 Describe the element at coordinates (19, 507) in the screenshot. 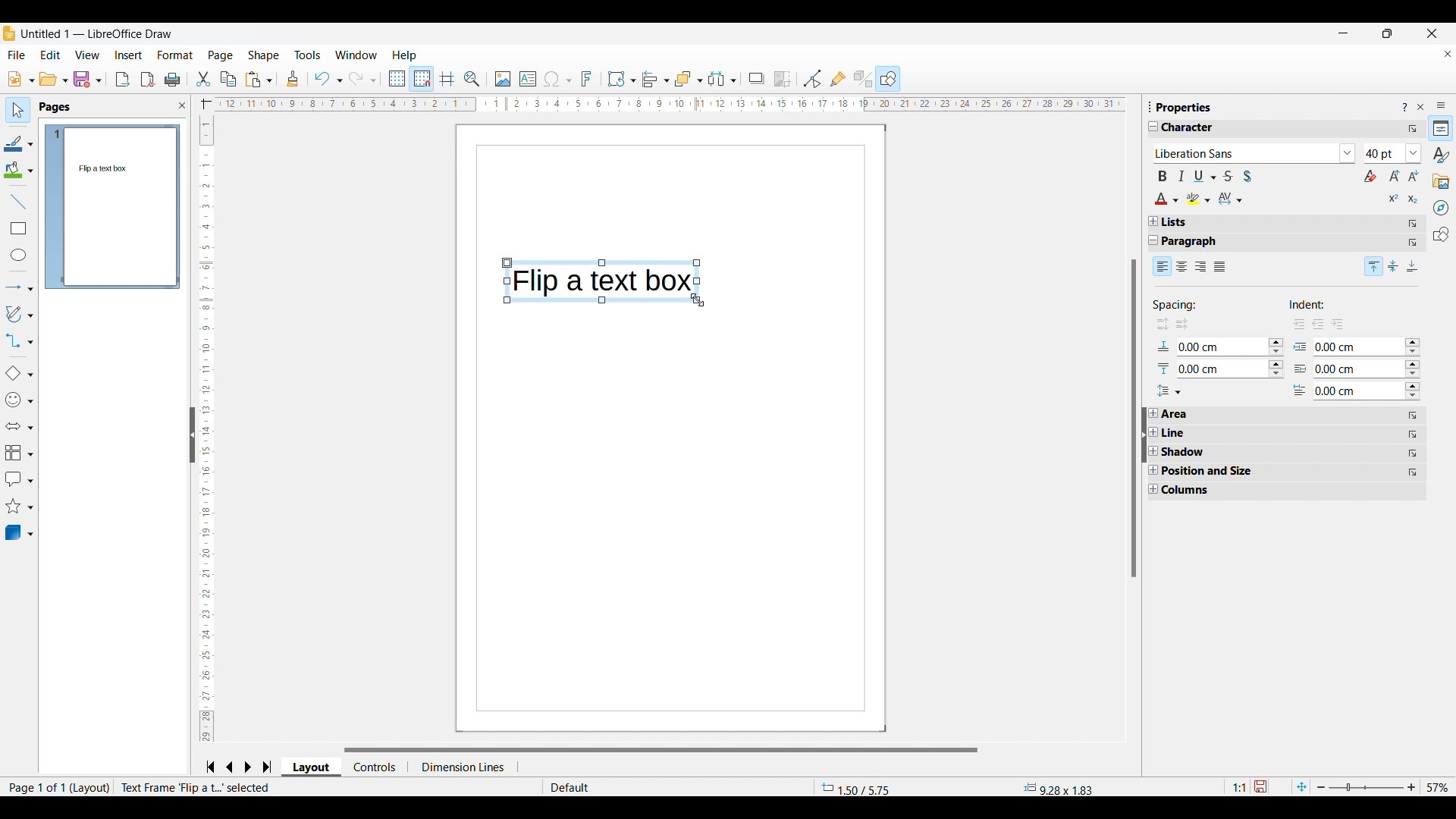

I see `Star and banner options` at that location.